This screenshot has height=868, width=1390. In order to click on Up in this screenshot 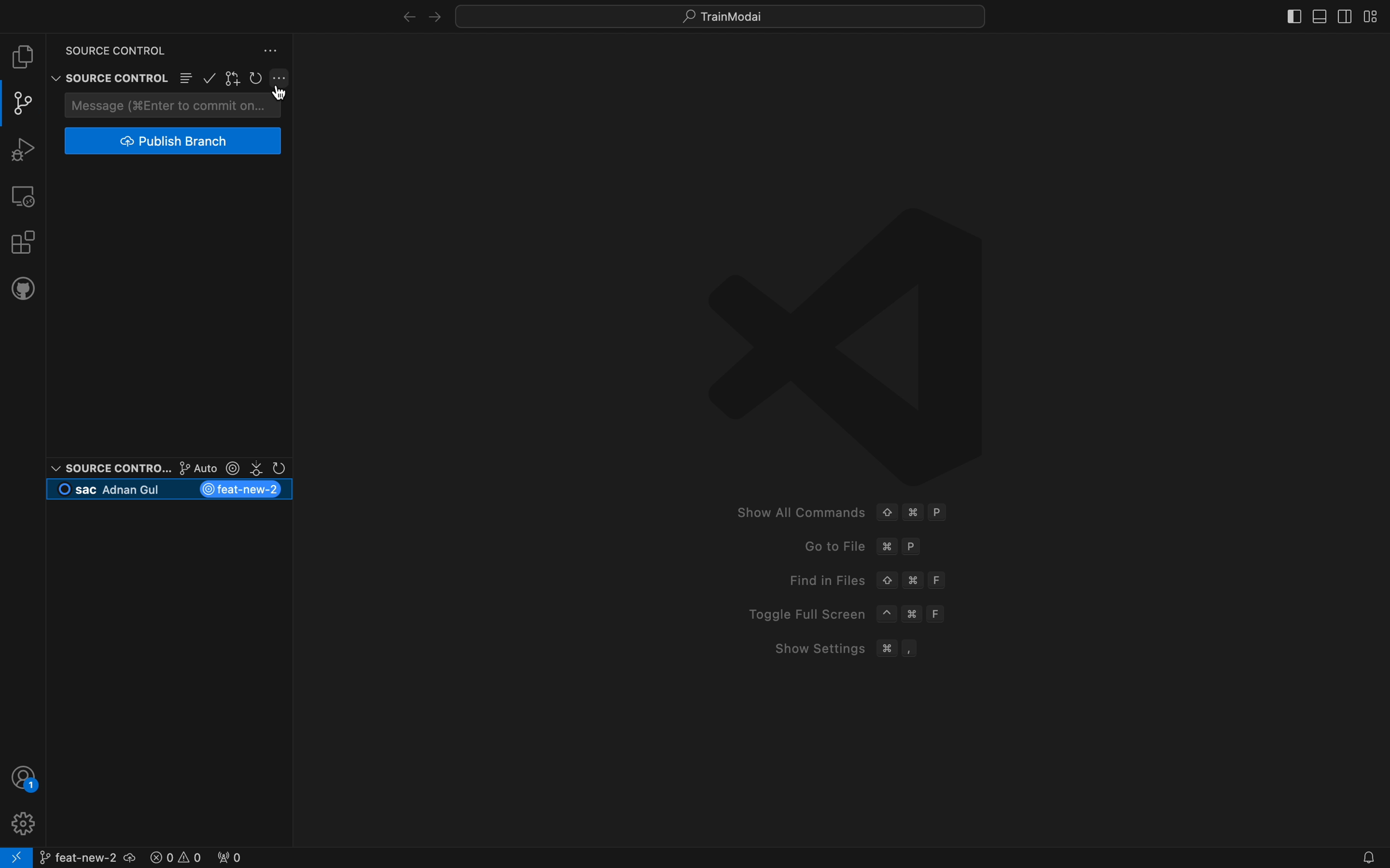, I will do `click(887, 581)`.